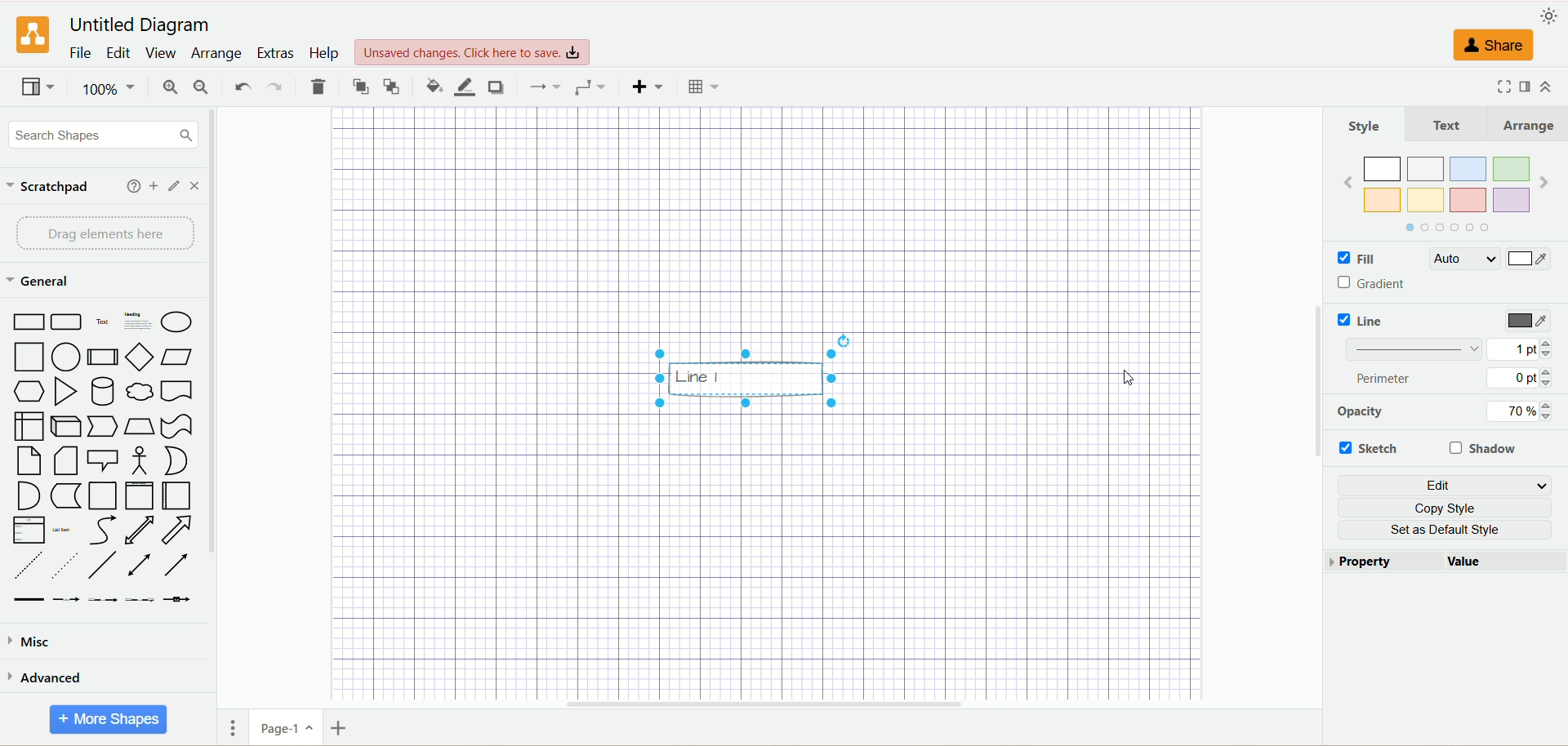 The width and height of the screenshot is (1568, 746). What do you see at coordinates (140, 389) in the screenshot?
I see `Cloud` at bounding box center [140, 389].